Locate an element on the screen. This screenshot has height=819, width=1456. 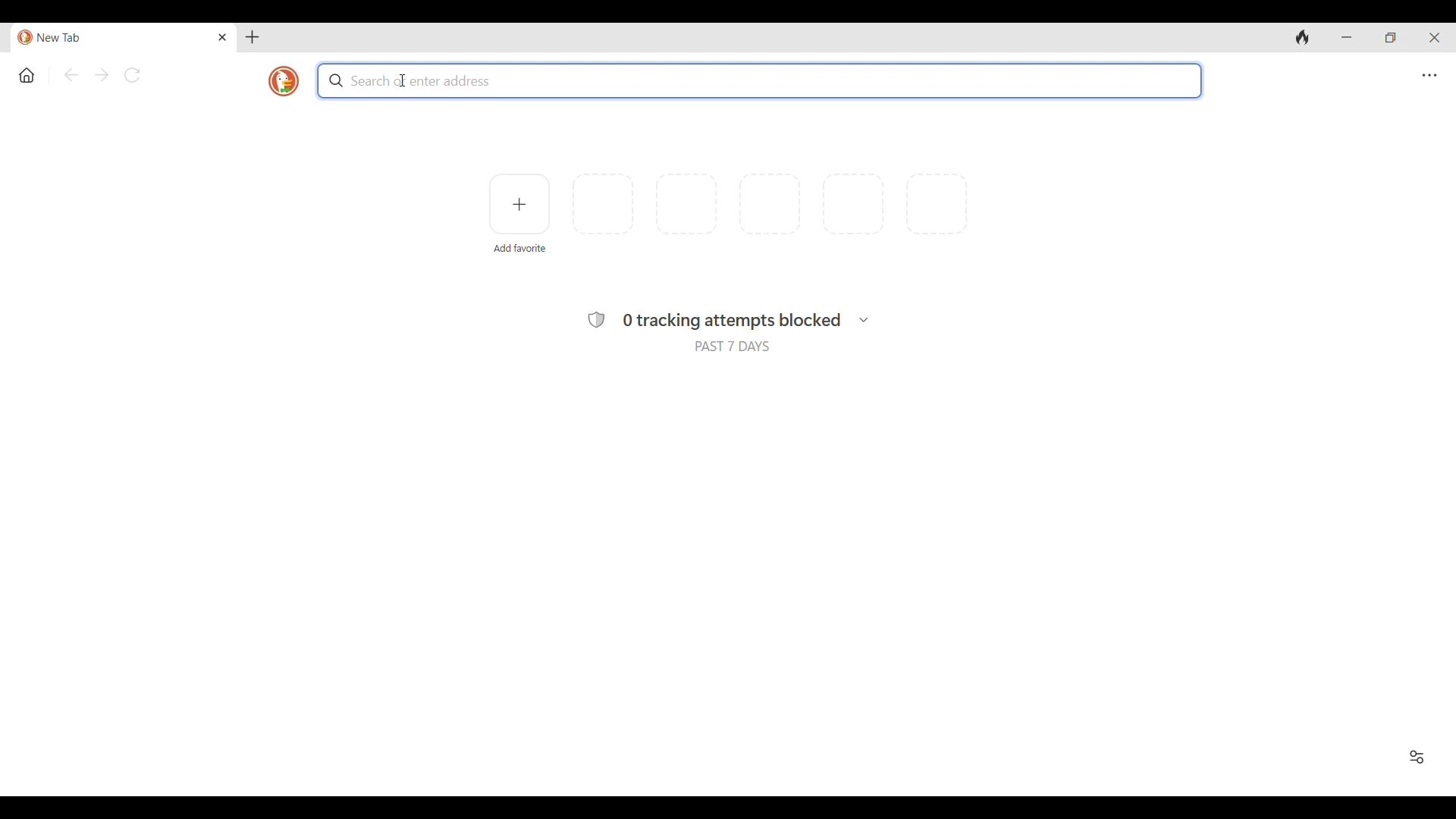
Show interface in a smaller tab is located at coordinates (1391, 38).